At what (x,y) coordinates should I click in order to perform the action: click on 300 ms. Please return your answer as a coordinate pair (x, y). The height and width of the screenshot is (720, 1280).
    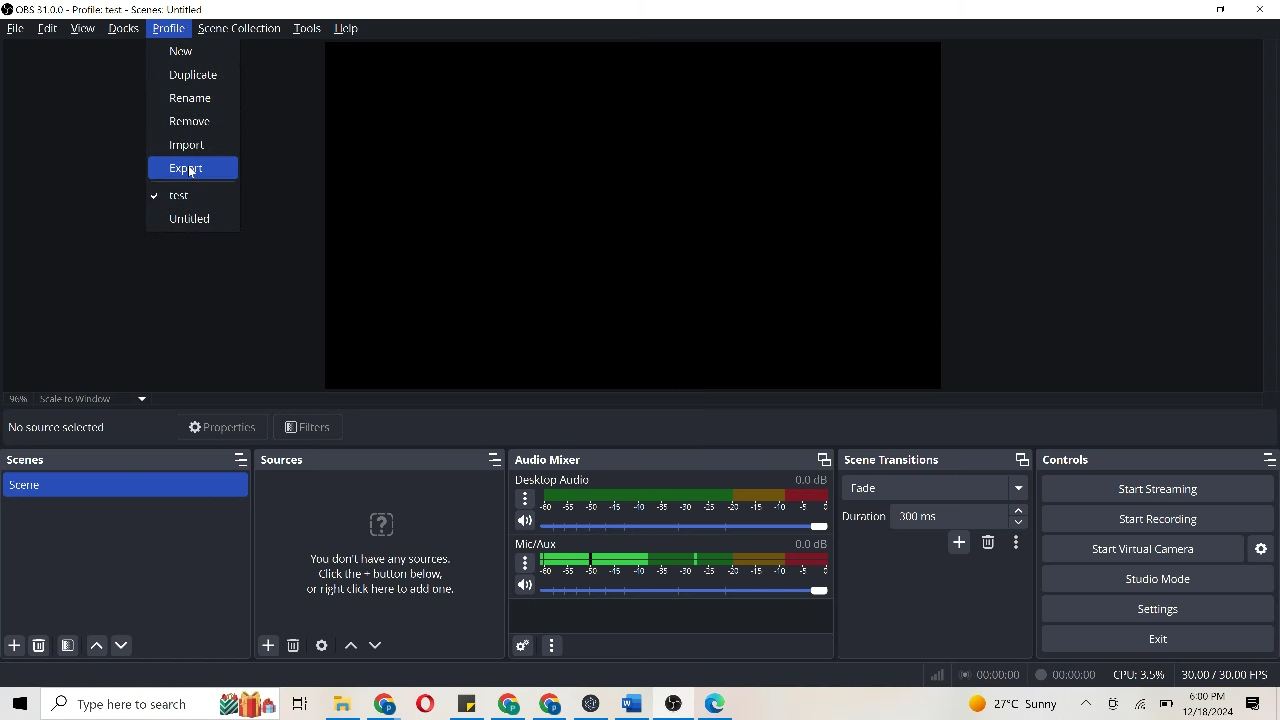
    Looking at the image, I should click on (964, 517).